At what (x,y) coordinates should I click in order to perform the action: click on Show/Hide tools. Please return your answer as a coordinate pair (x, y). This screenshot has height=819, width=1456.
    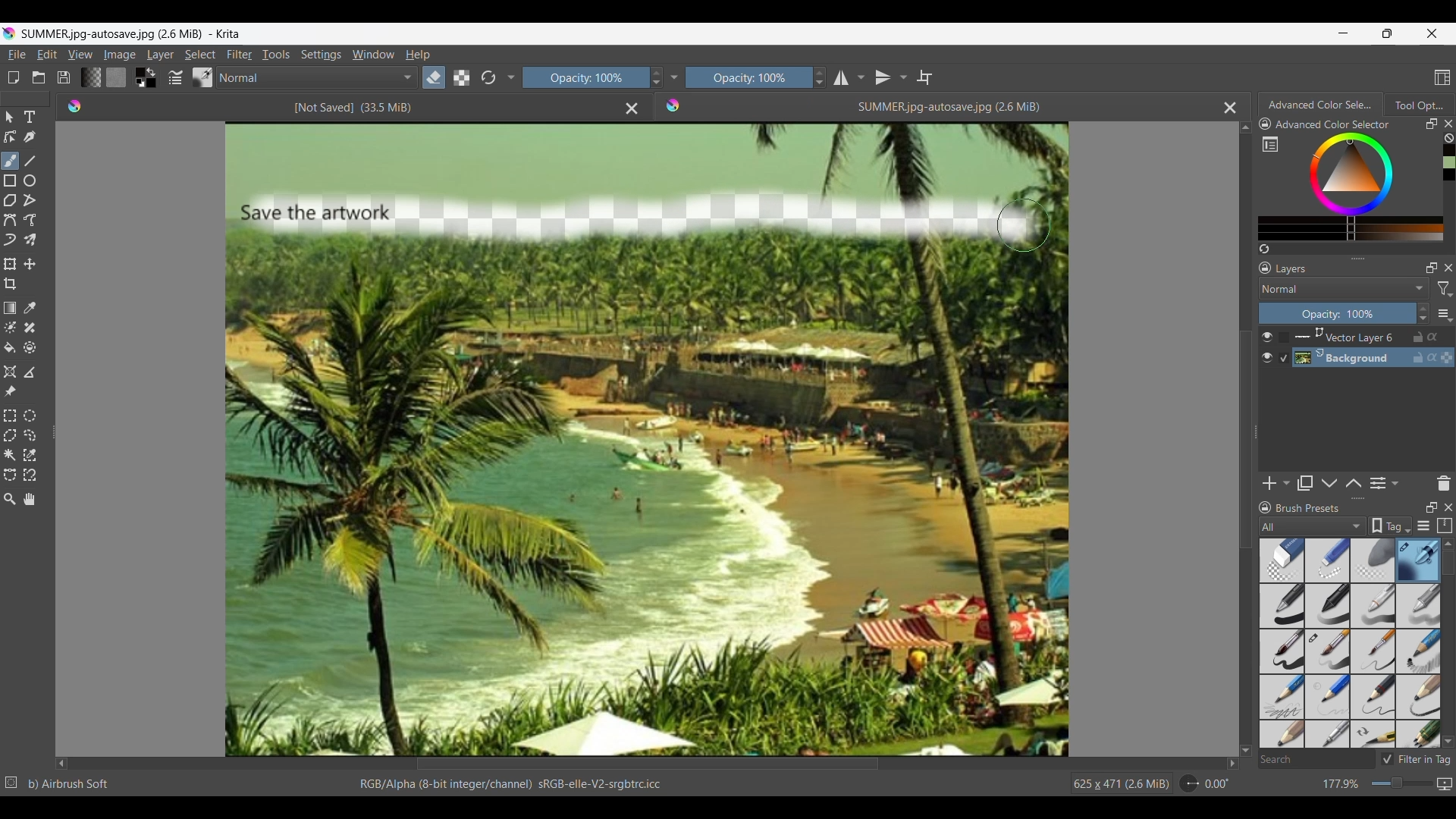
    Looking at the image, I should click on (674, 77).